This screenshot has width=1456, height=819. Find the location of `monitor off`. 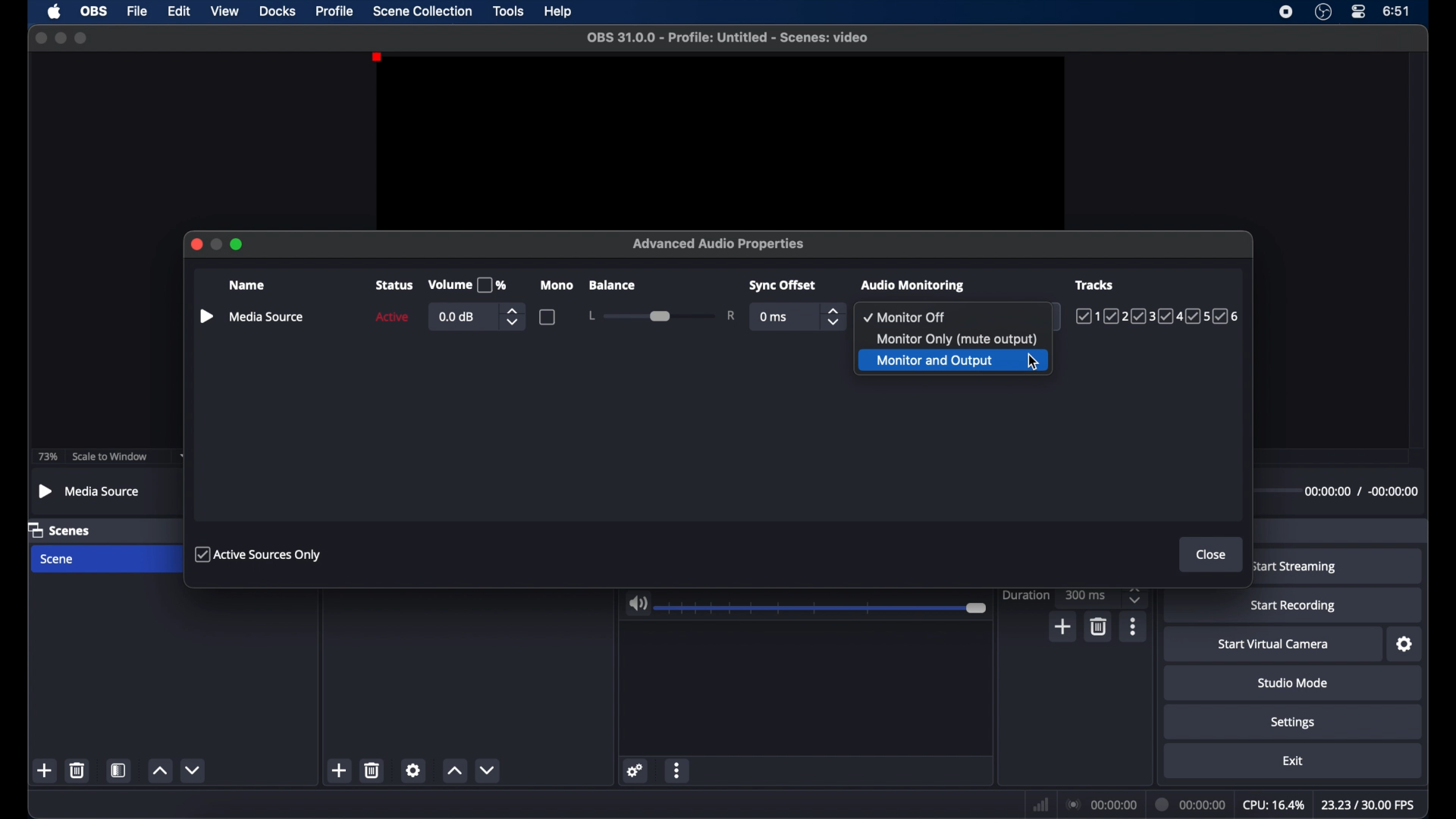

monitor off is located at coordinates (907, 318).